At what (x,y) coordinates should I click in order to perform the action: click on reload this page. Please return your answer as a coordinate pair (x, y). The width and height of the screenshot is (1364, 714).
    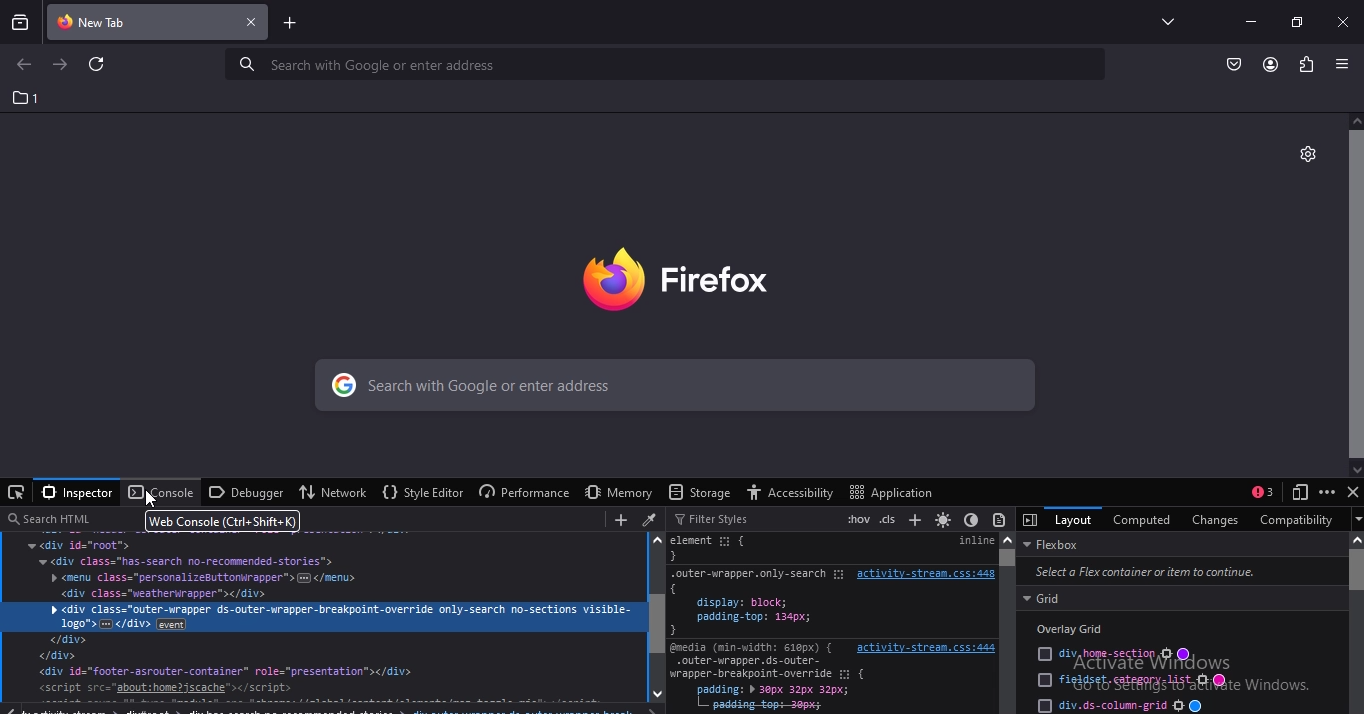
    Looking at the image, I should click on (101, 66).